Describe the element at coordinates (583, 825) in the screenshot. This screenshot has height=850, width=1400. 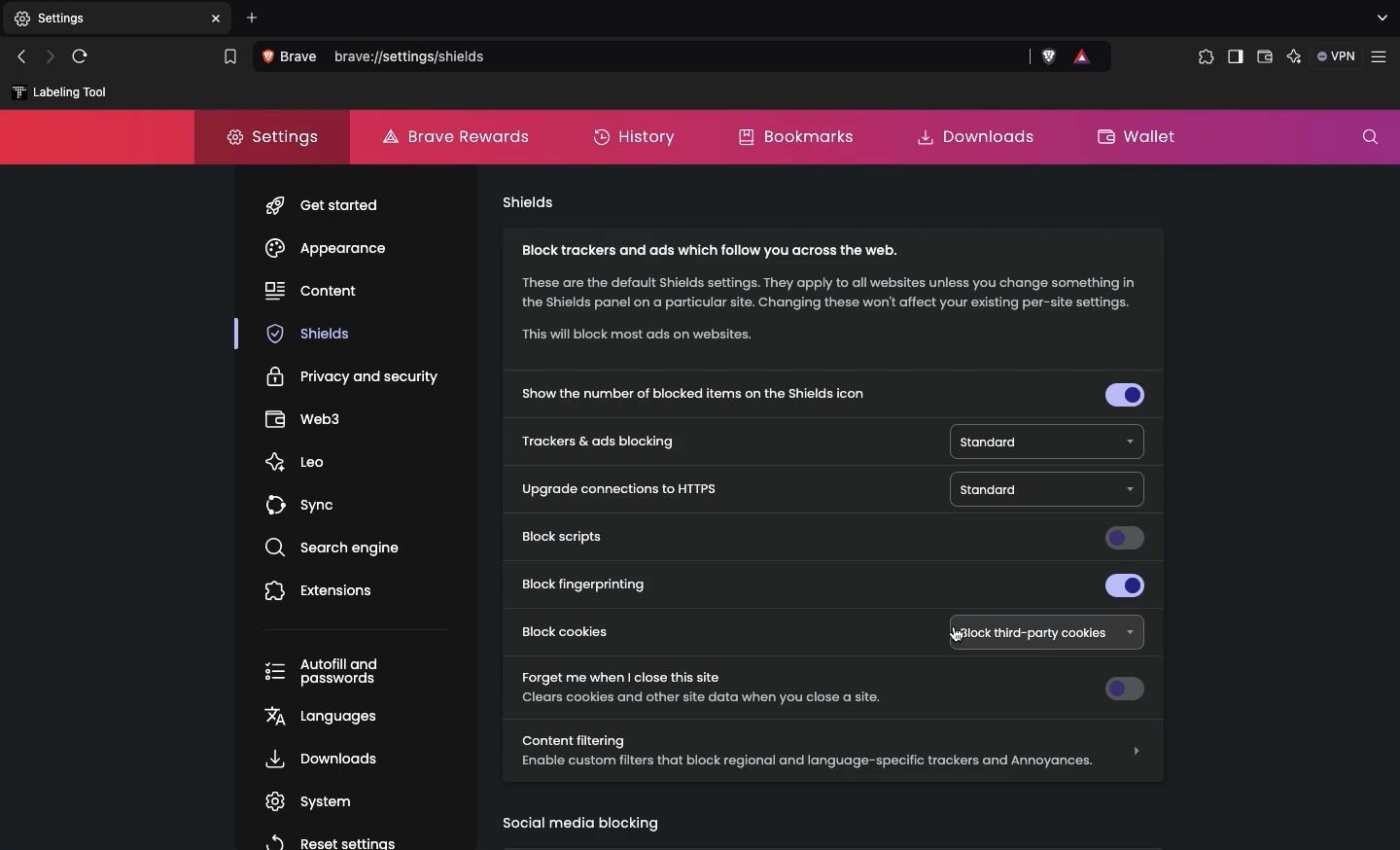
I see `Social media blocking` at that location.